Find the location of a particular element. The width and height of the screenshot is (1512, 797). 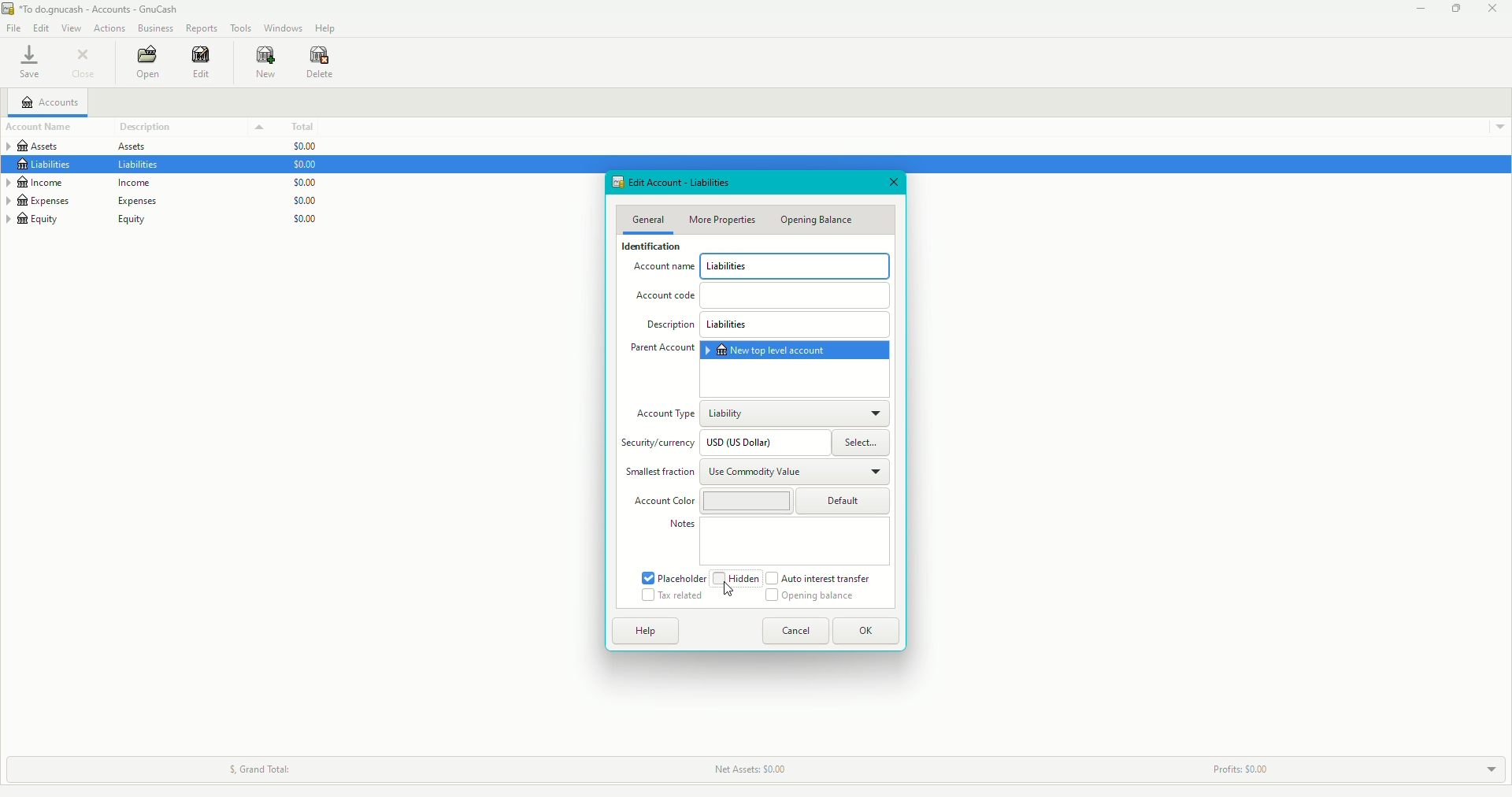

Net Assets is located at coordinates (747, 769).